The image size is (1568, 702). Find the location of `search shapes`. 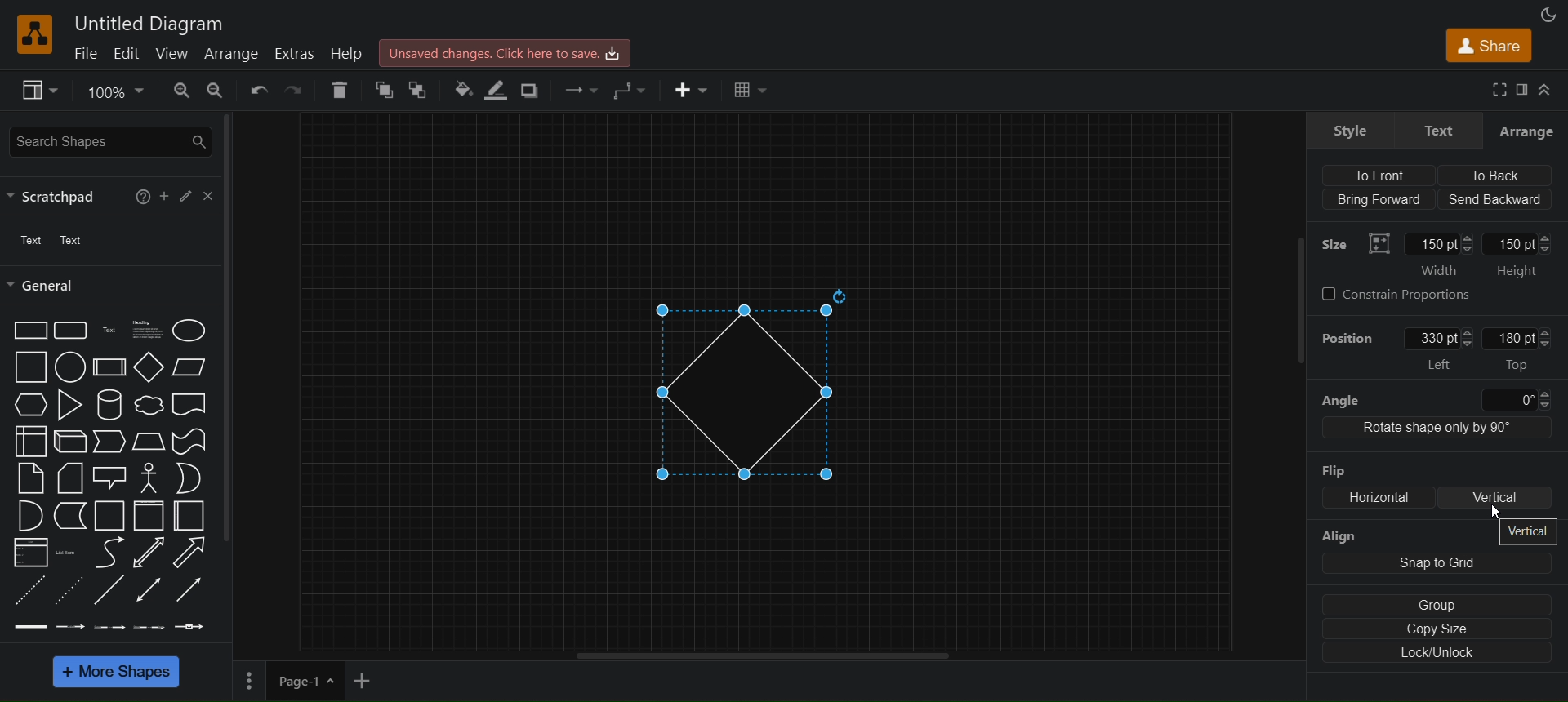

search shapes is located at coordinates (108, 140).